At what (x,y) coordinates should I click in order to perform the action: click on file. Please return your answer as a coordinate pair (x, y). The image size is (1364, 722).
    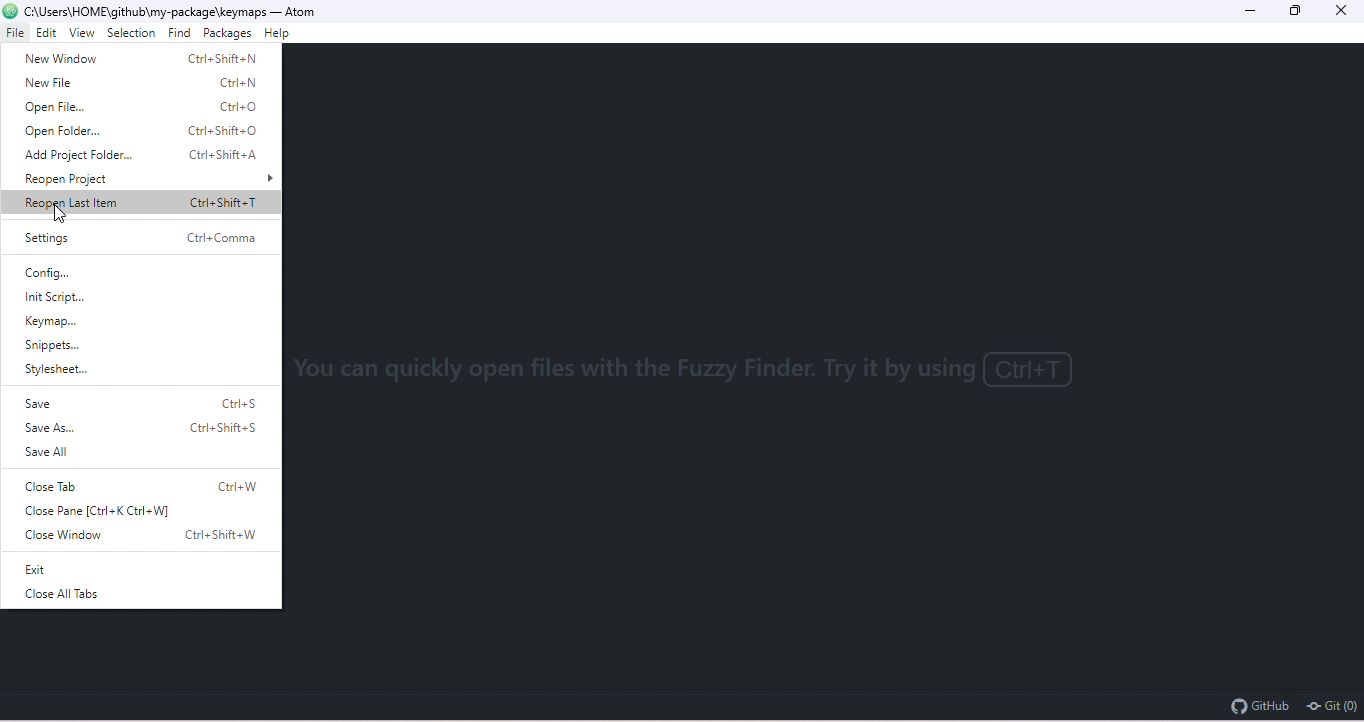
    Looking at the image, I should click on (16, 35).